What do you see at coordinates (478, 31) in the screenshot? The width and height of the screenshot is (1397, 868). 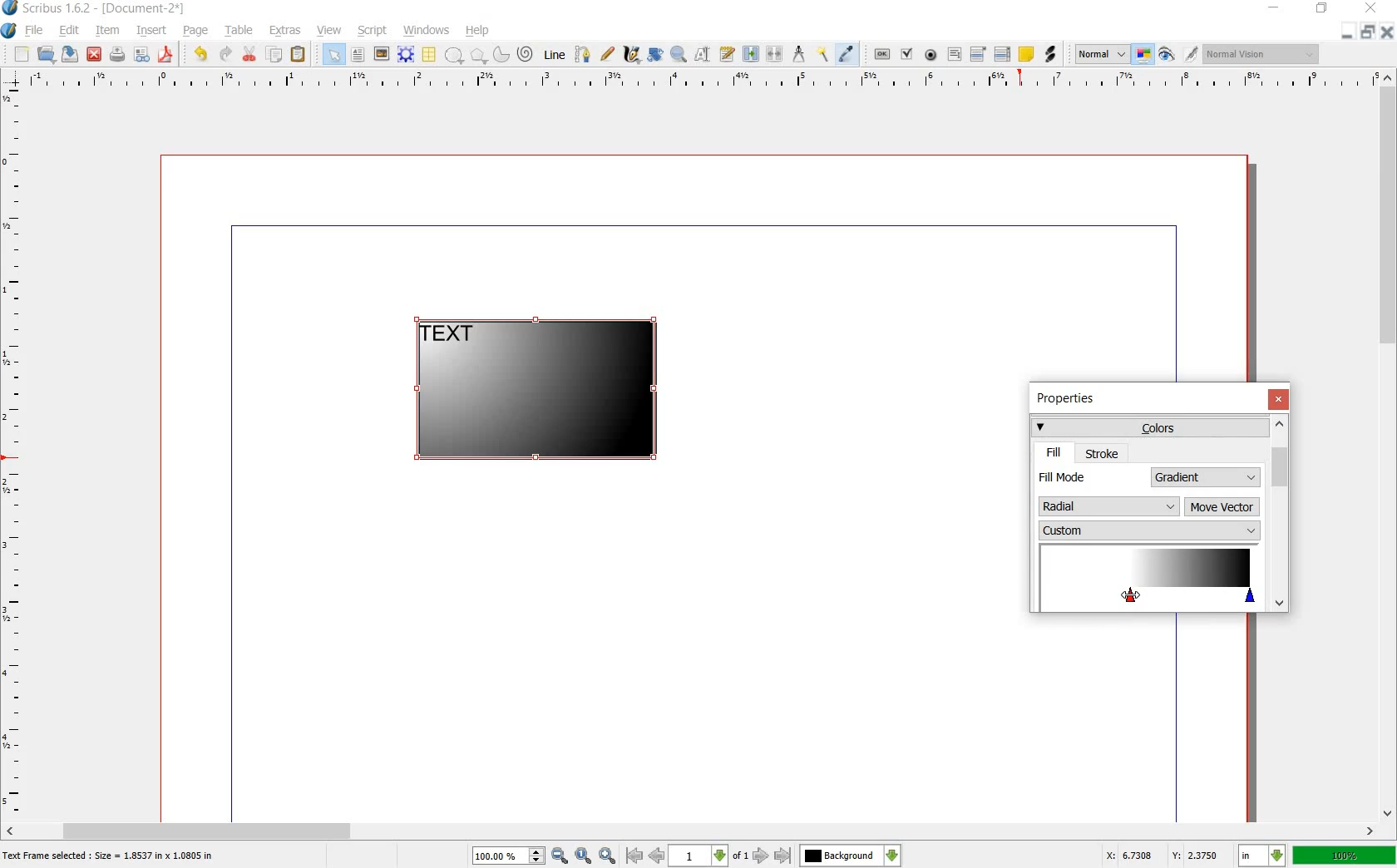 I see `help` at bounding box center [478, 31].